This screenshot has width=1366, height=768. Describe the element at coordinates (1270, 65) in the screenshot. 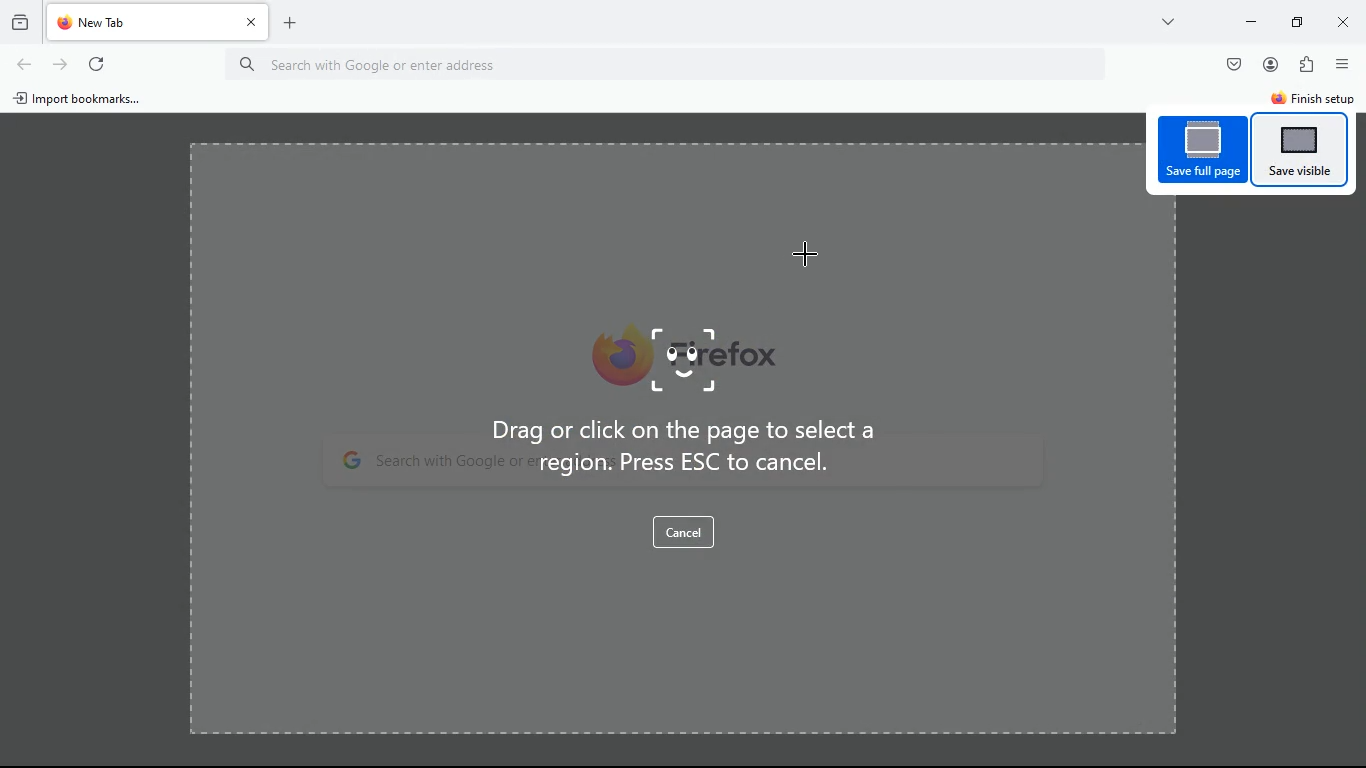

I see `profile` at that location.